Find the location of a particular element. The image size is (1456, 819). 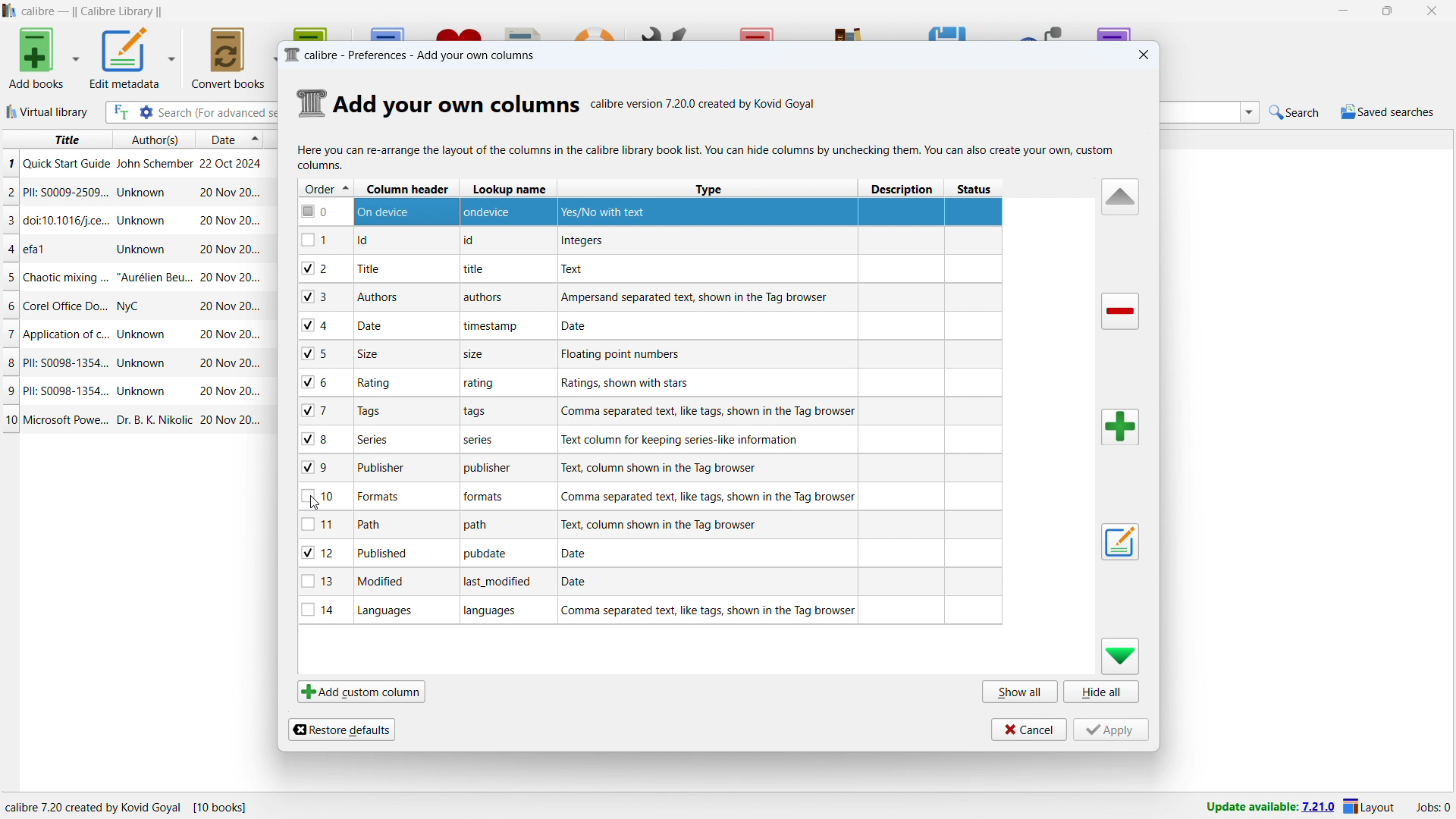

remove column is located at coordinates (1122, 311).